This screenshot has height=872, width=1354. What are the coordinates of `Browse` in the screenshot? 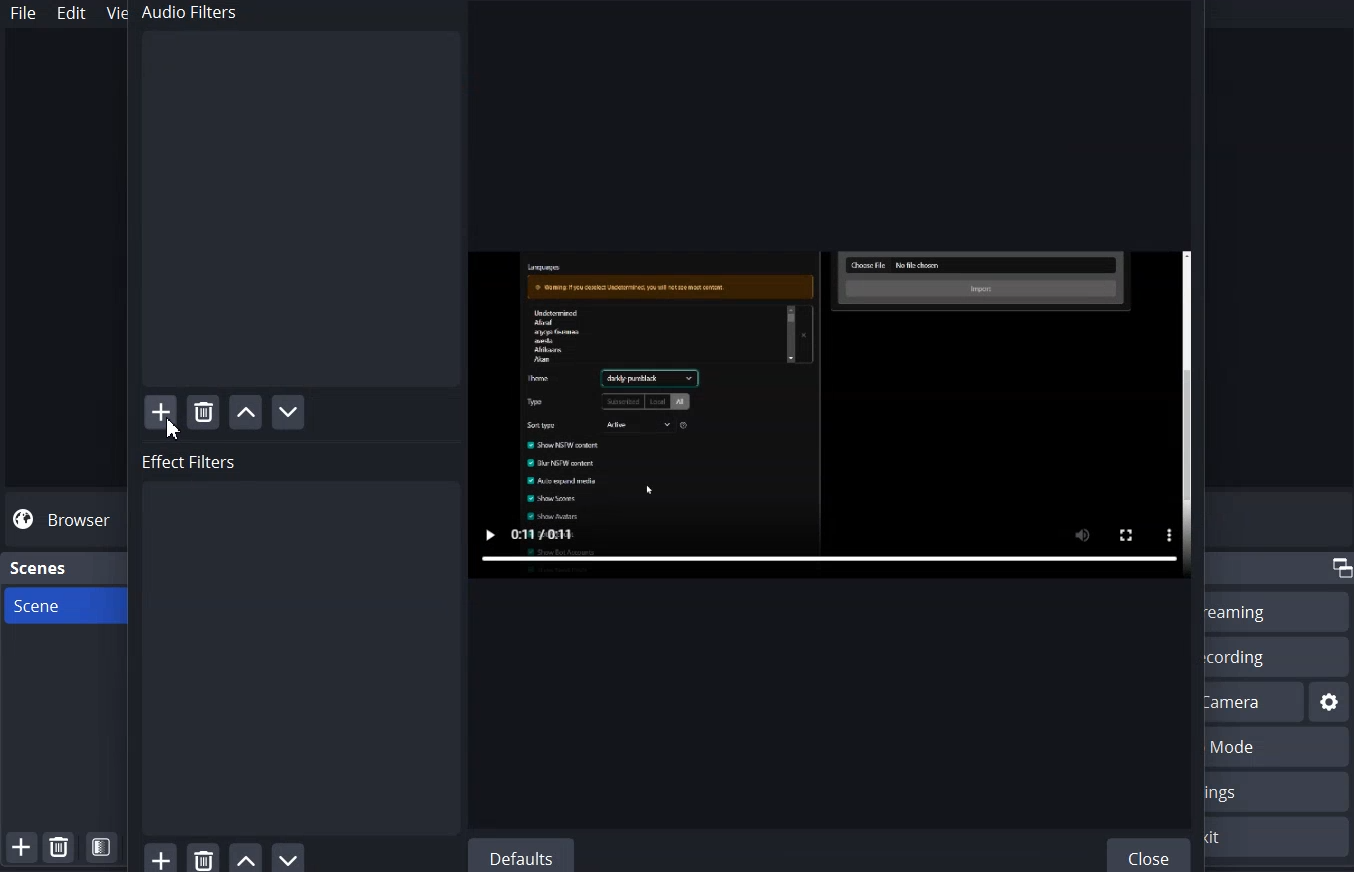 It's located at (64, 520).